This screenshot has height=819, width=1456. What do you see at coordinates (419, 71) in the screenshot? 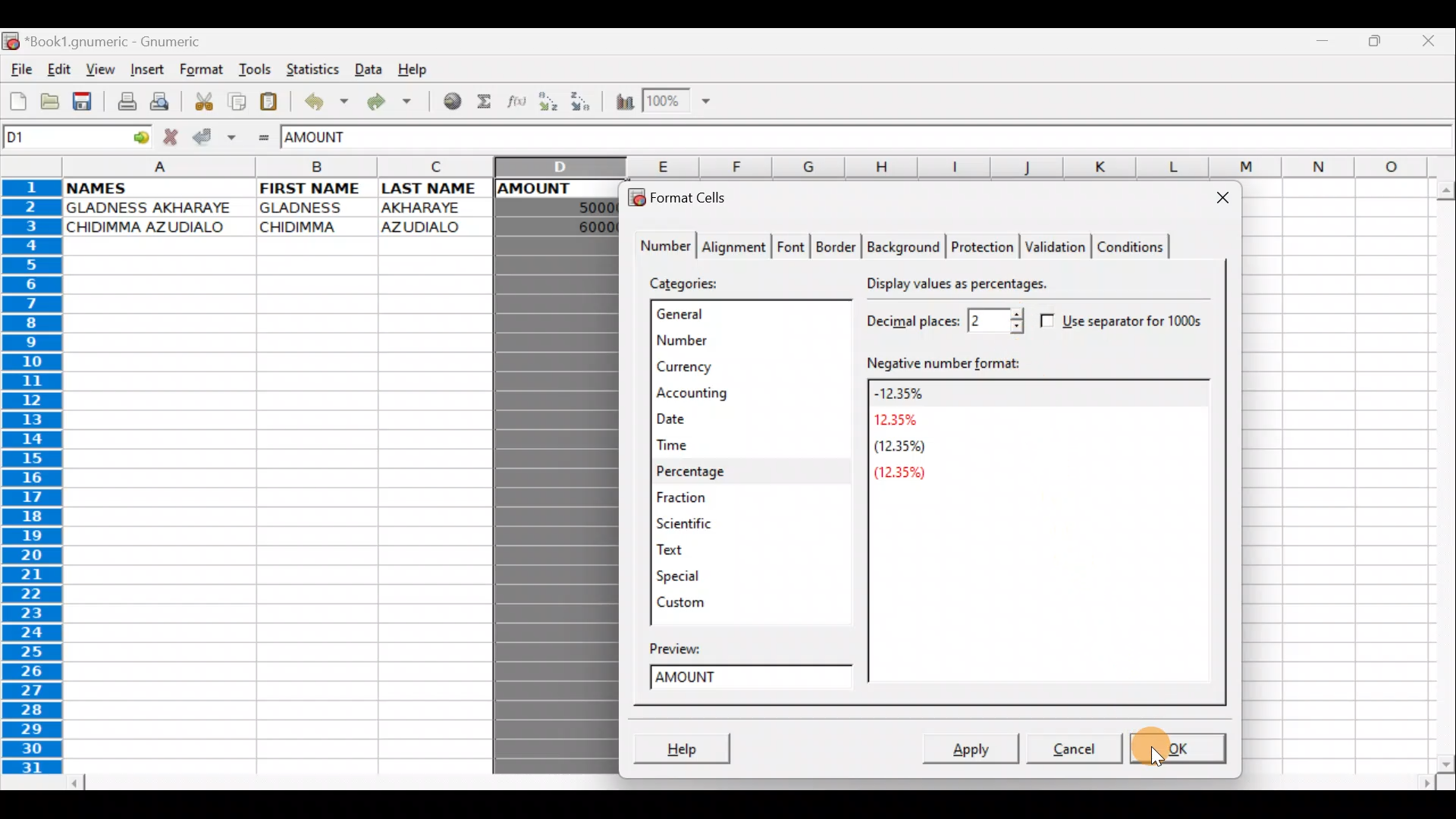
I see `Help` at bounding box center [419, 71].